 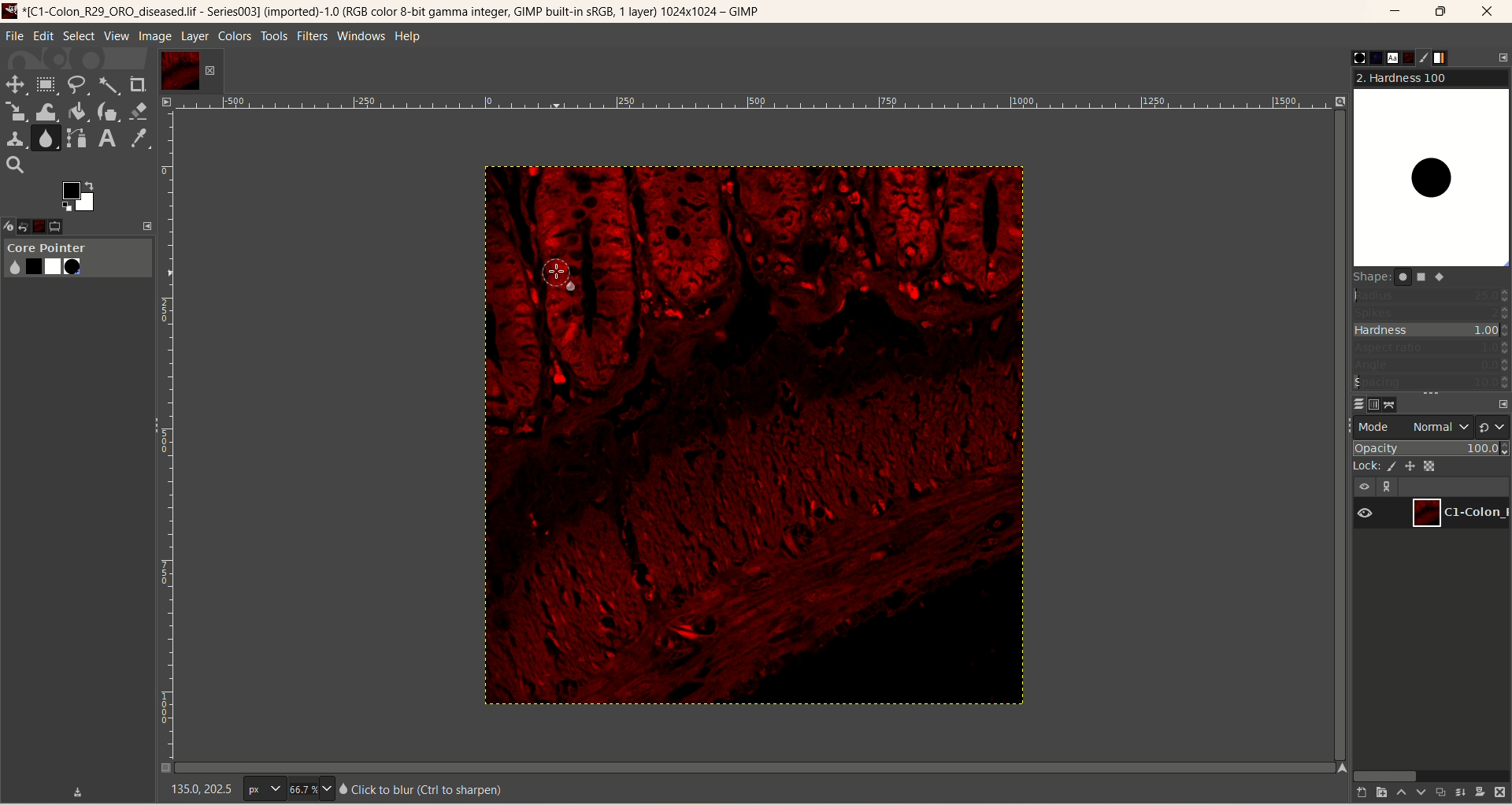 I want to click on create a new layer with last used values, so click(x=1354, y=793).